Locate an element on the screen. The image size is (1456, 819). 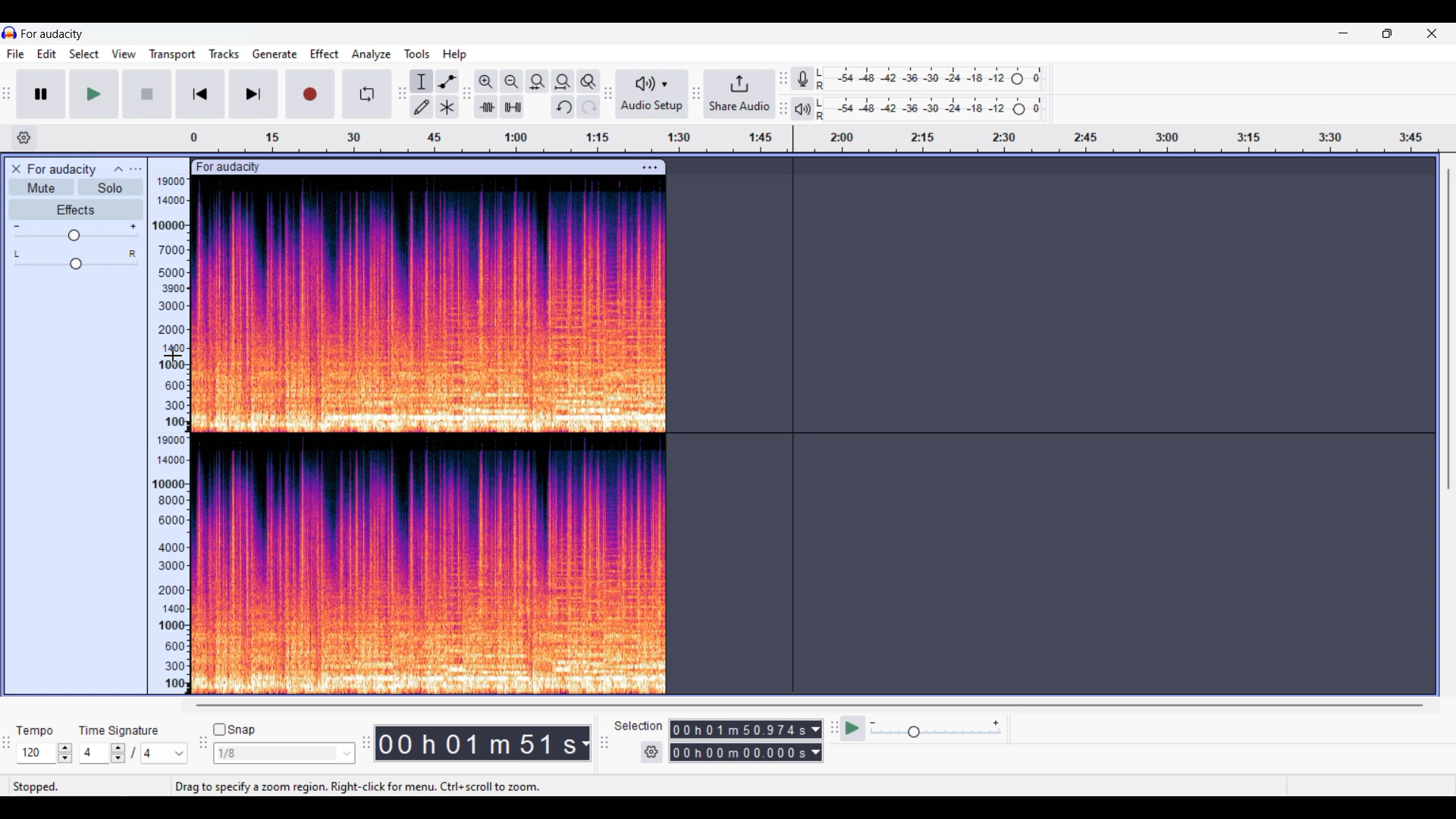
Mute is located at coordinates (42, 187).